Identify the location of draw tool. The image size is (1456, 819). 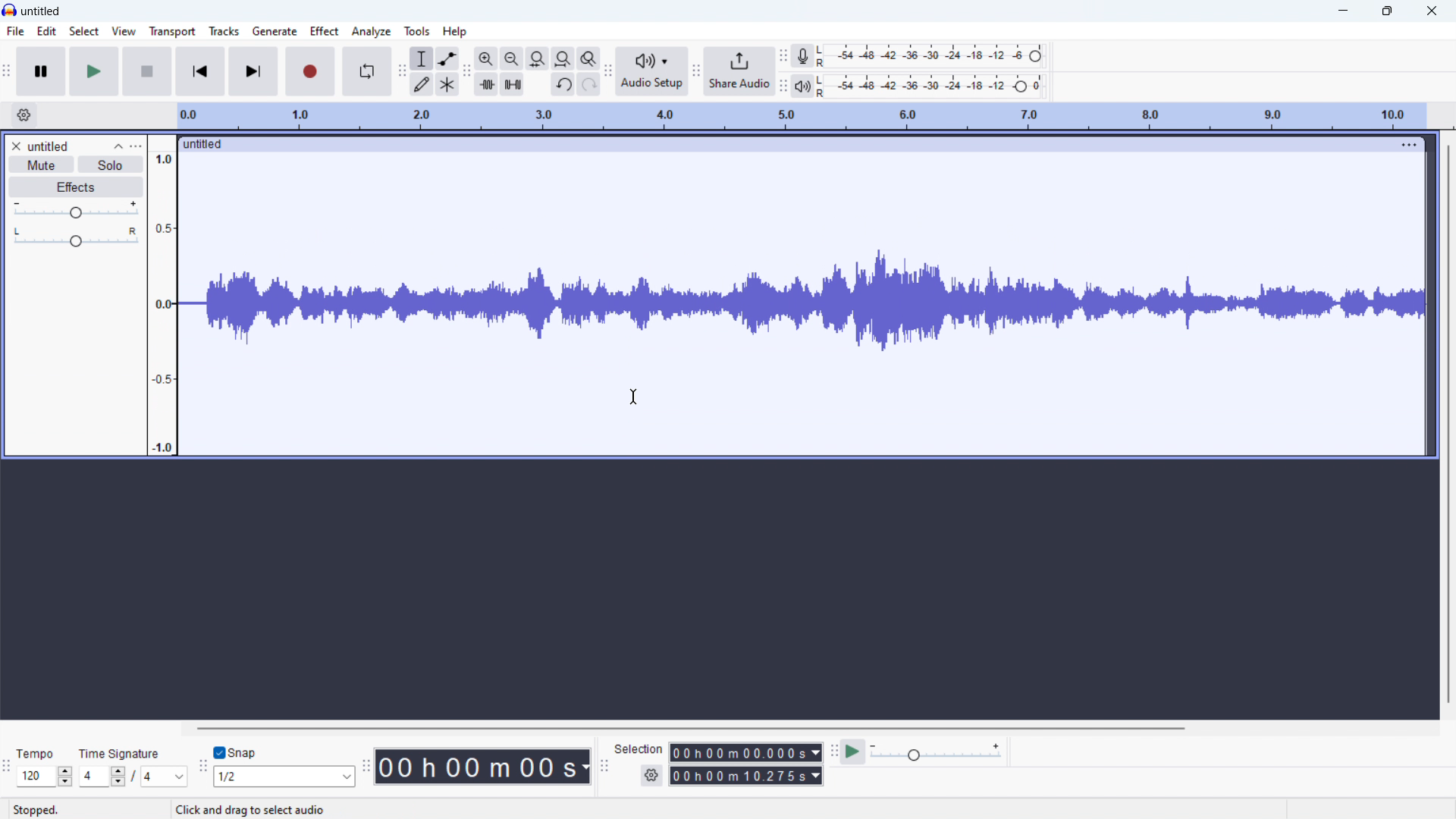
(422, 84).